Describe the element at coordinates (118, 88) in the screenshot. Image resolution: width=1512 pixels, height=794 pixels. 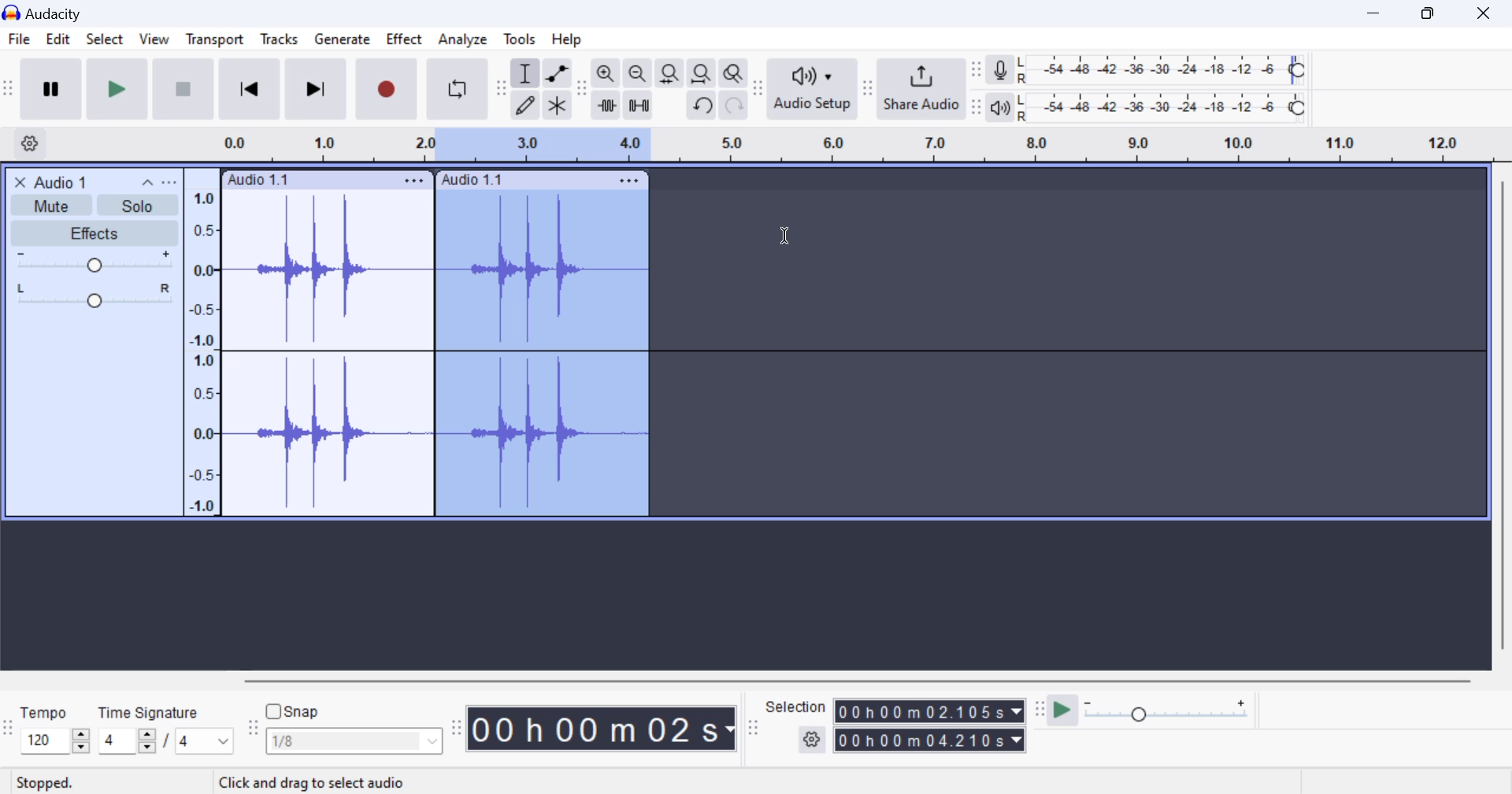
I see `Play` at that location.